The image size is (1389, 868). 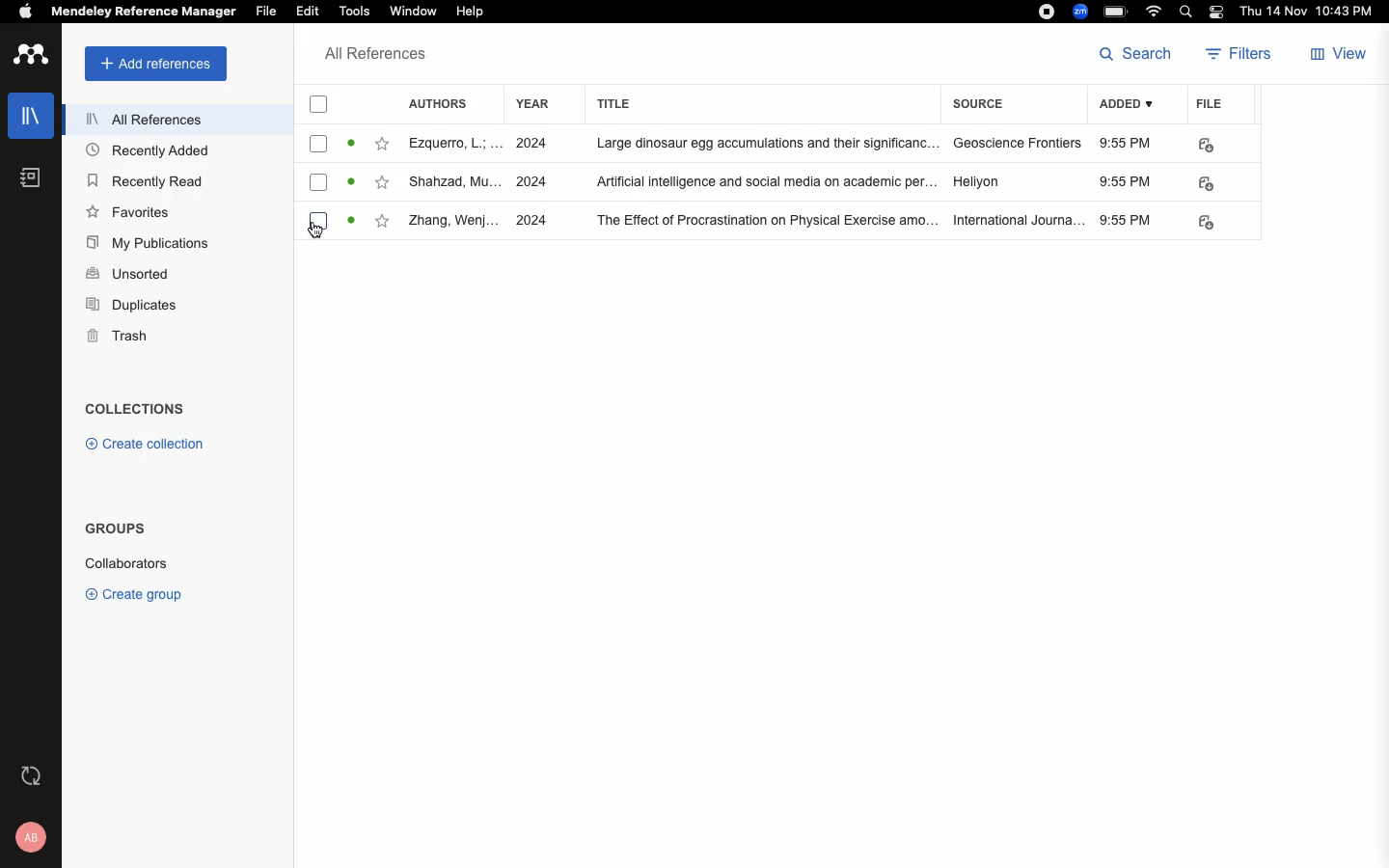 What do you see at coordinates (1018, 144) in the screenshot?
I see `Geoscience frontiers` at bounding box center [1018, 144].